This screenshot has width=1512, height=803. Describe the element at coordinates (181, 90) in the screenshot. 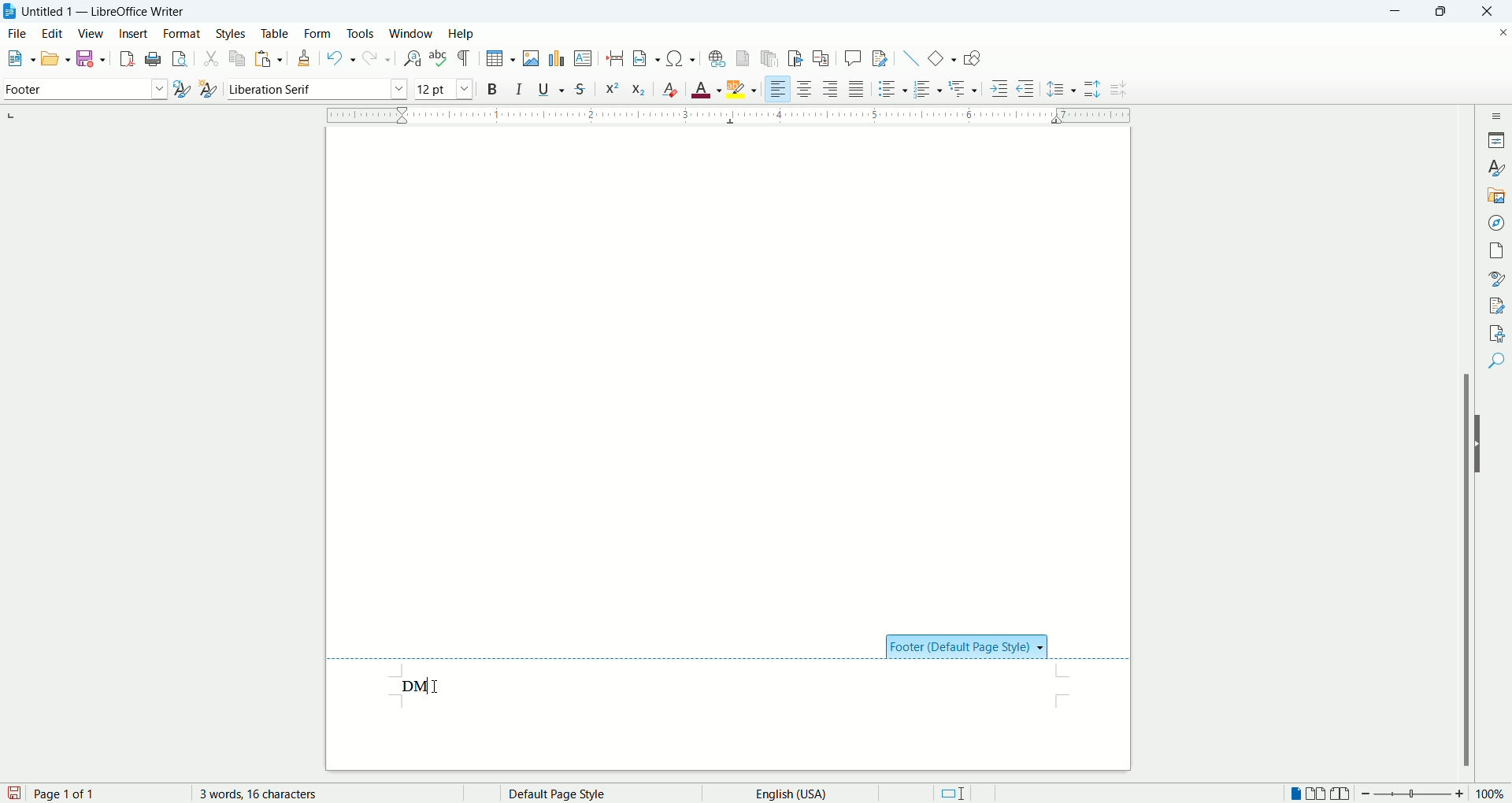

I see `update style` at that location.